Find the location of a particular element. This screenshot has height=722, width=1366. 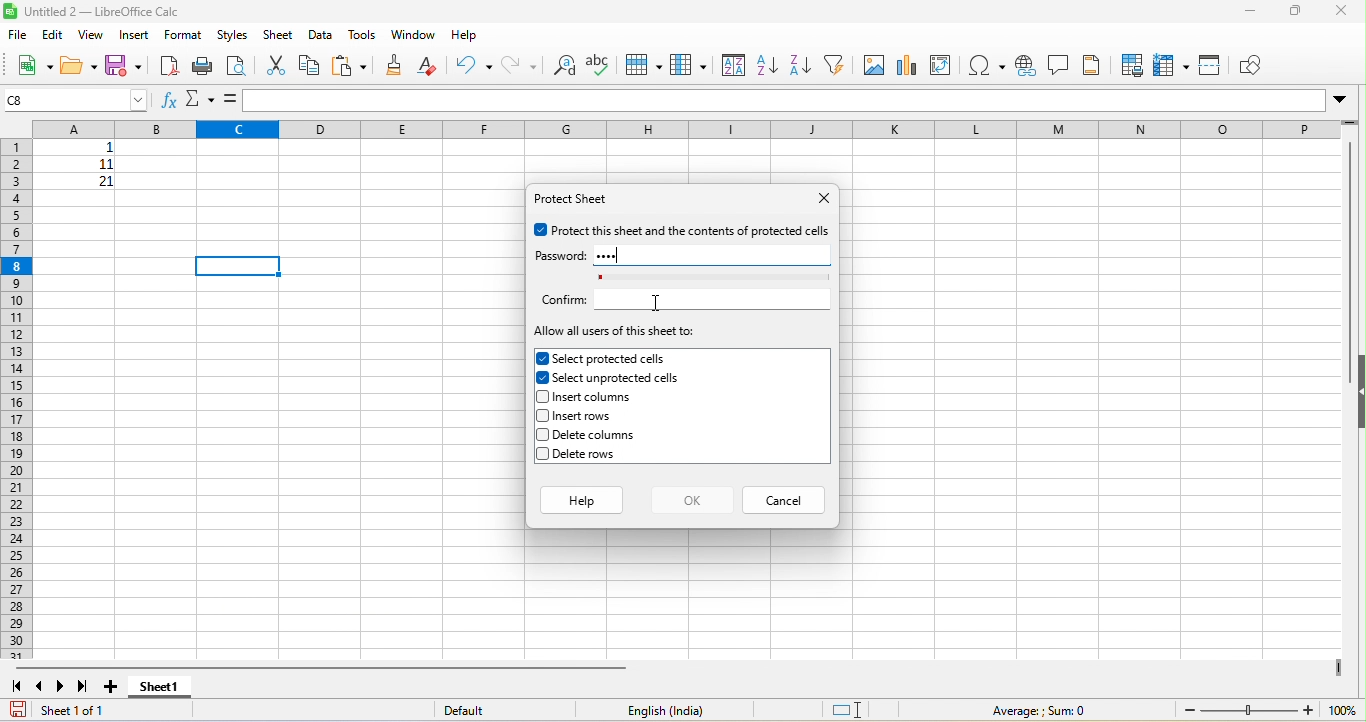

select function is located at coordinates (201, 99).